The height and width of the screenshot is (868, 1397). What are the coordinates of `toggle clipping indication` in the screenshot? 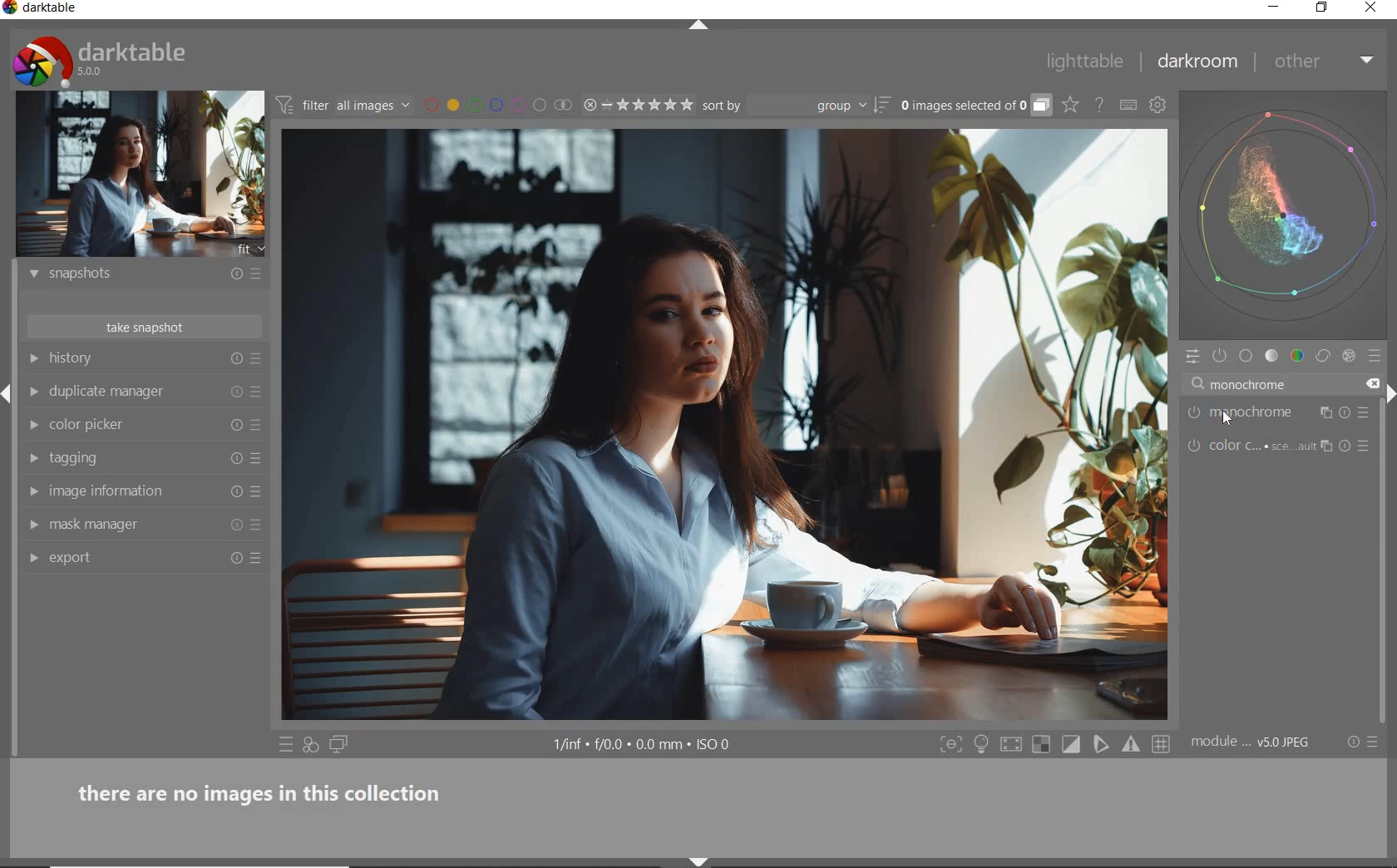 It's located at (1073, 744).